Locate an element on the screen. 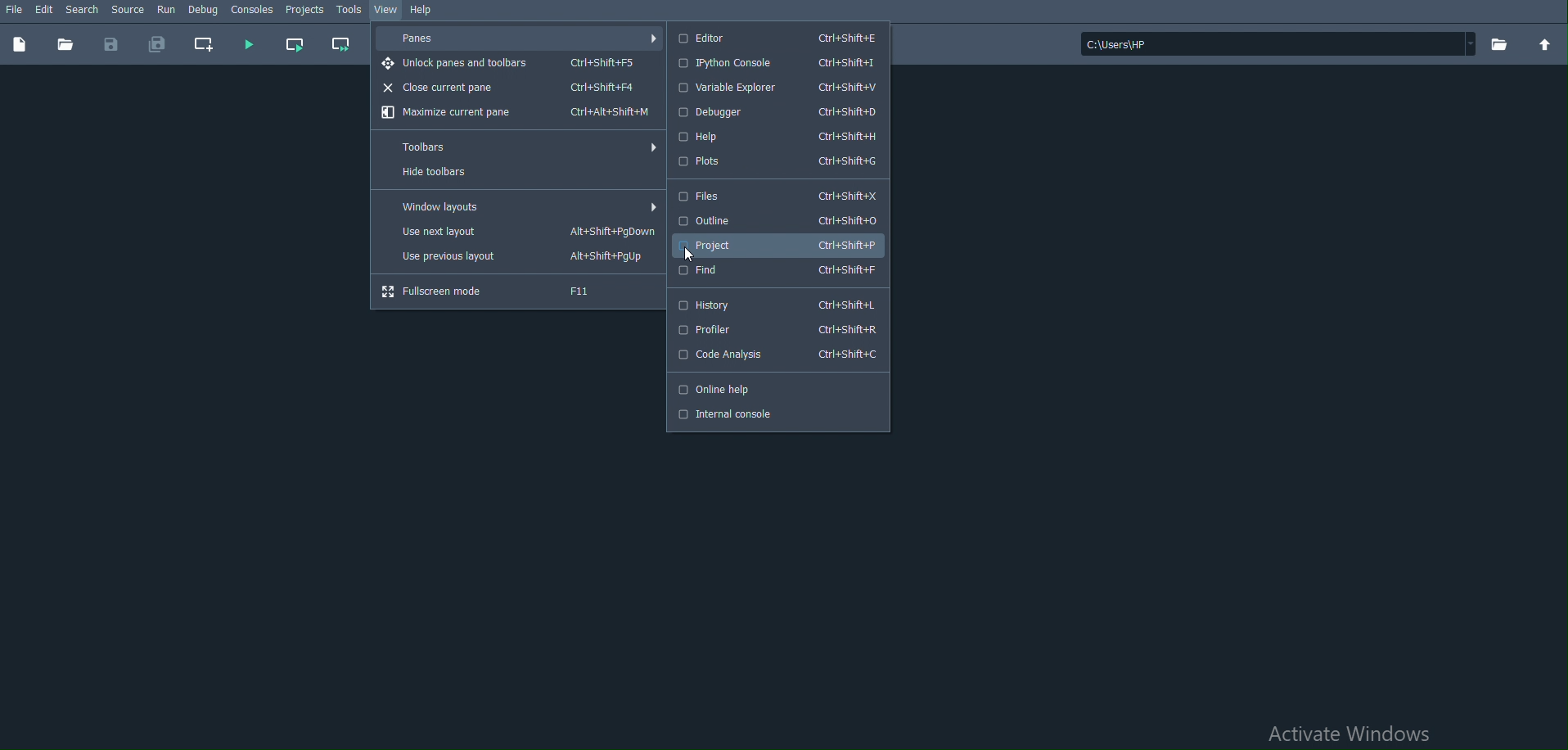 The height and width of the screenshot is (750, 1568). Cursor is located at coordinates (690, 255).